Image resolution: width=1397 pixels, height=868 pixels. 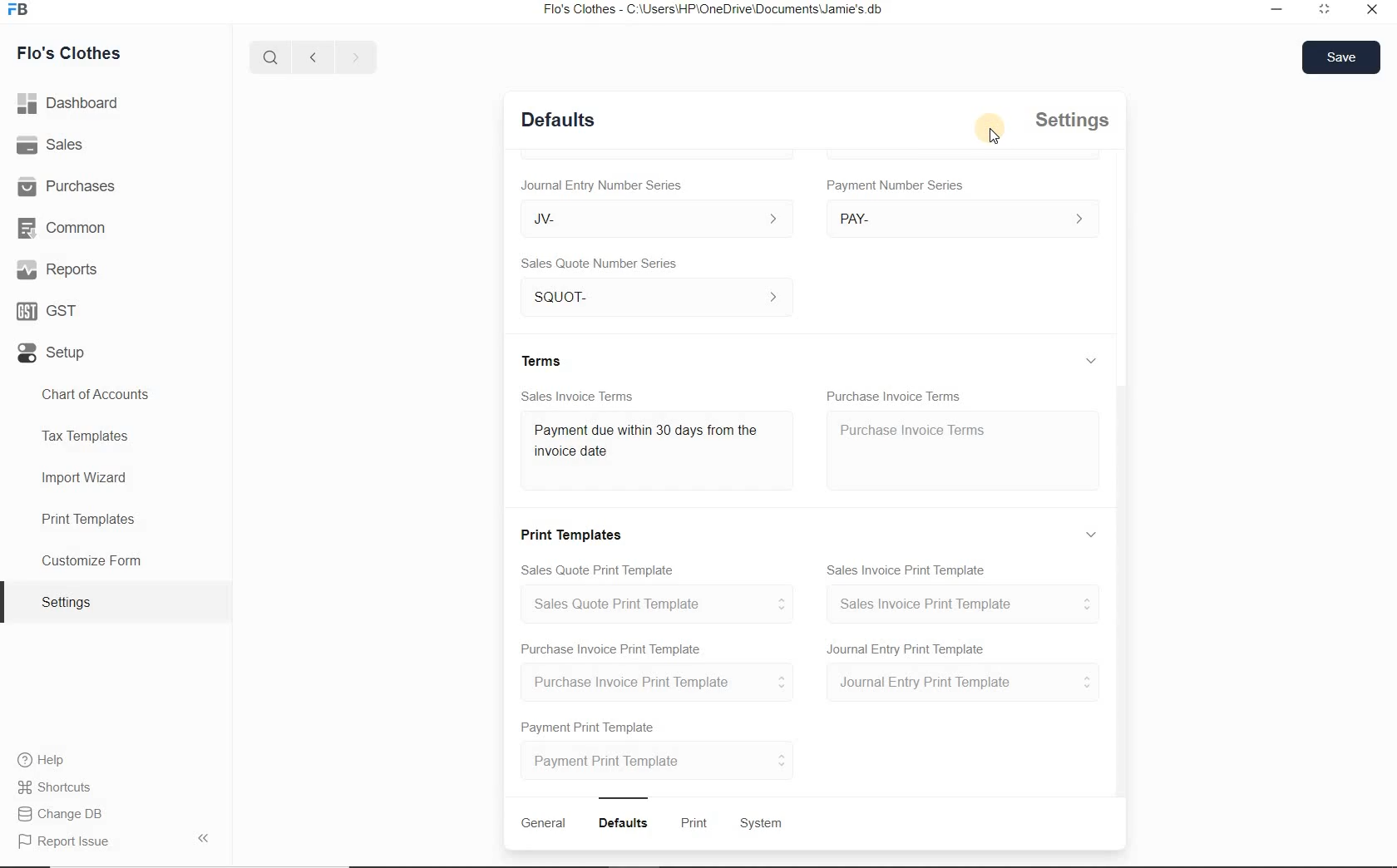 What do you see at coordinates (659, 450) in the screenshot?
I see `Sales Invoice Terms` at bounding box center [659, 450].